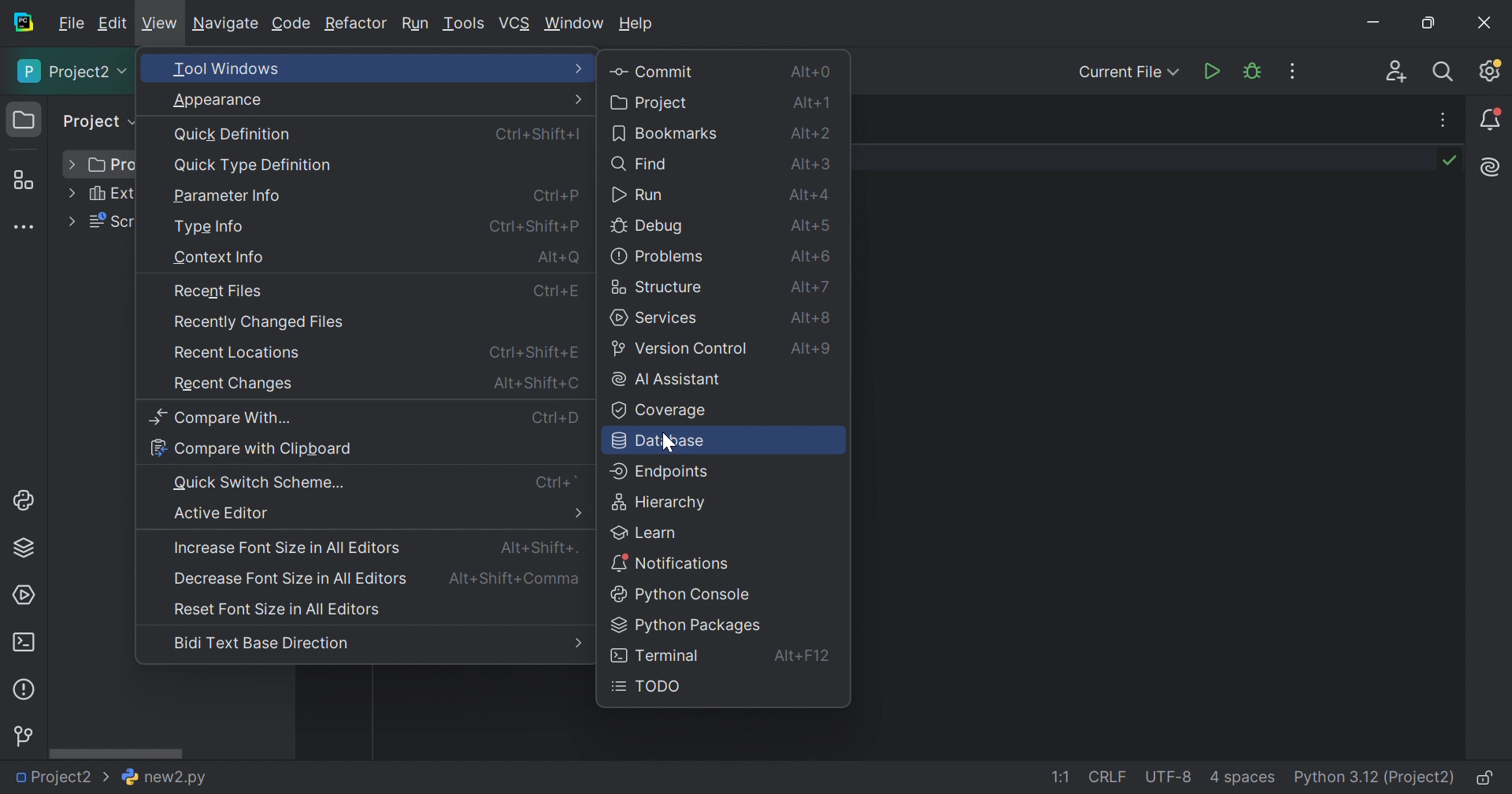 This screenshot has width=1512, height=794. What do you see at coordinates (638, 192) in the screenshot?
I see `Run` at bounding box center [638, 192].